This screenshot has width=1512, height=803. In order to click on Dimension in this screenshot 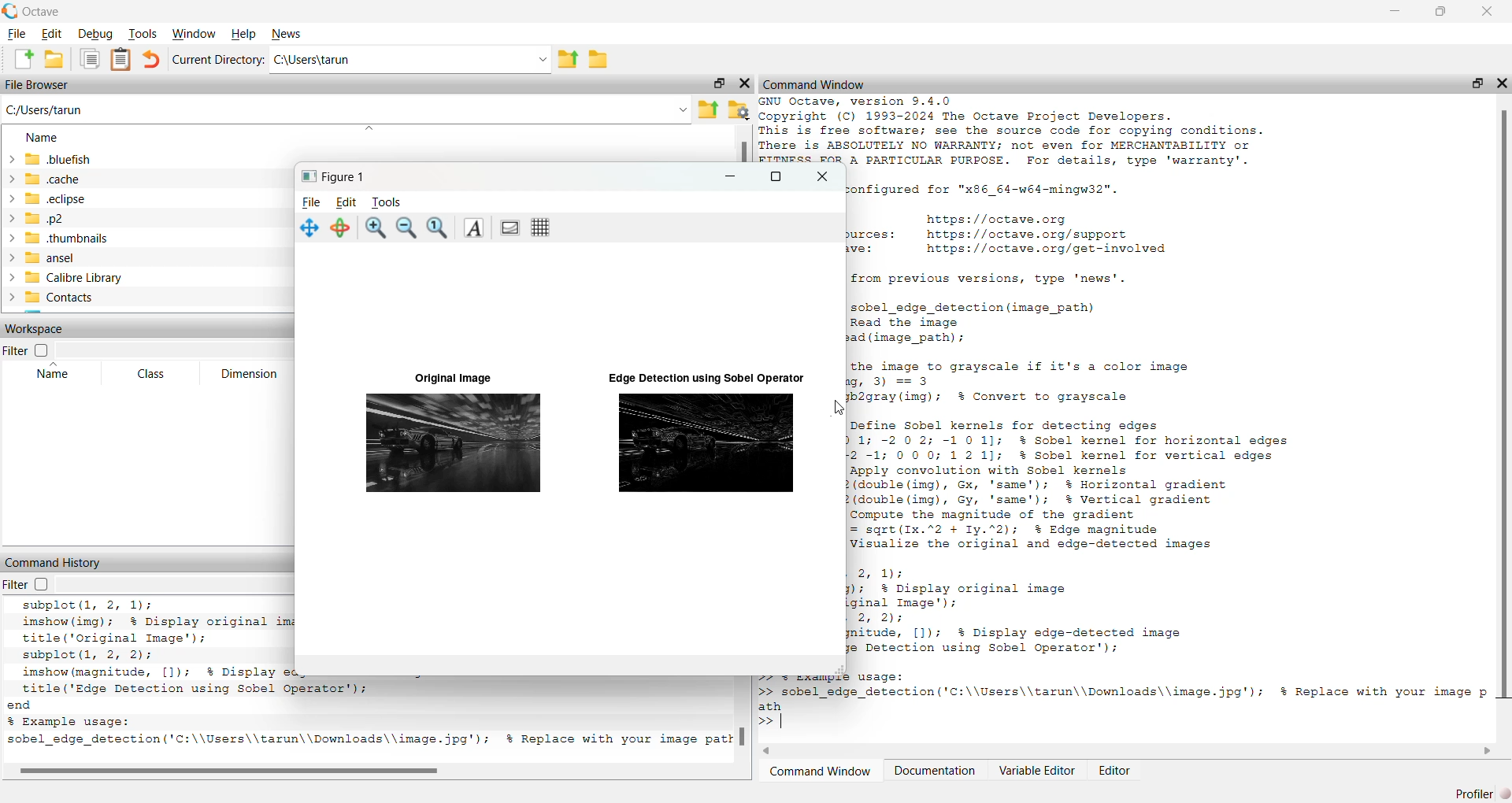, I will do `click(252, 372)`.